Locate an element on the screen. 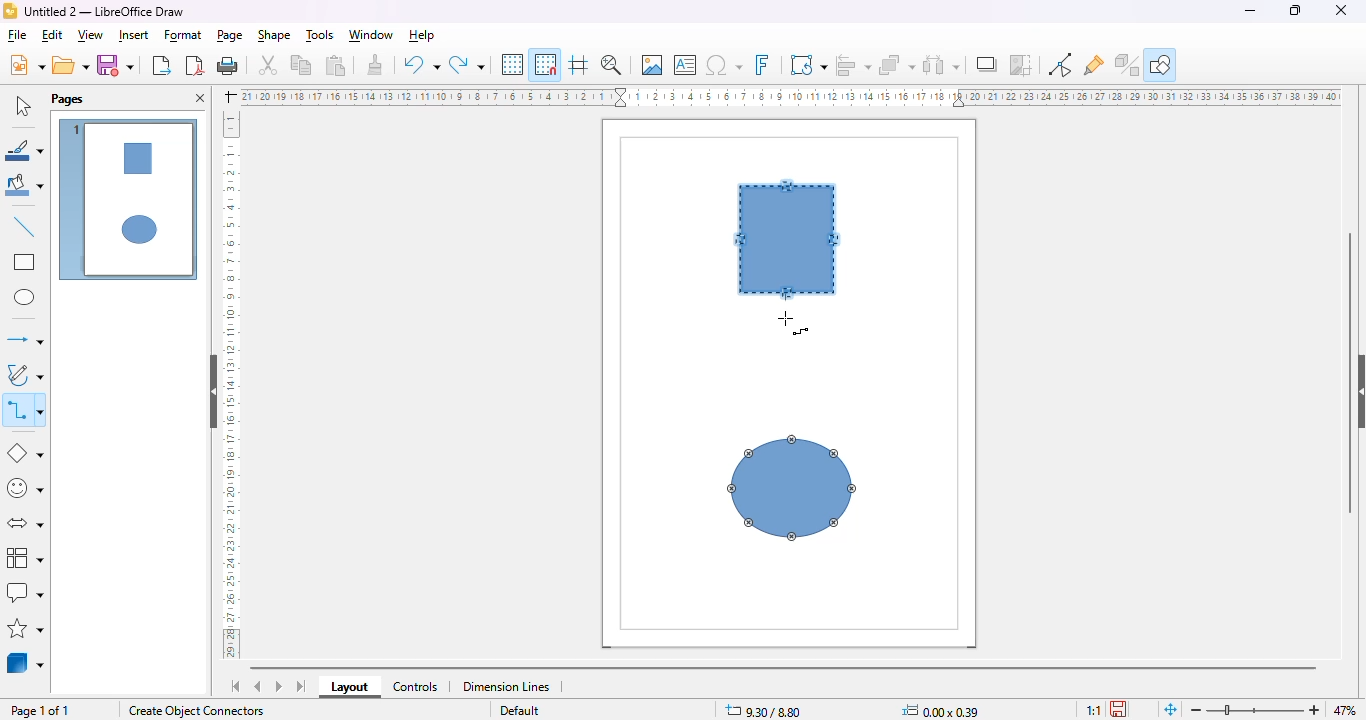 The image size is (1366, 720). controls is located at coordinates (416, 687).